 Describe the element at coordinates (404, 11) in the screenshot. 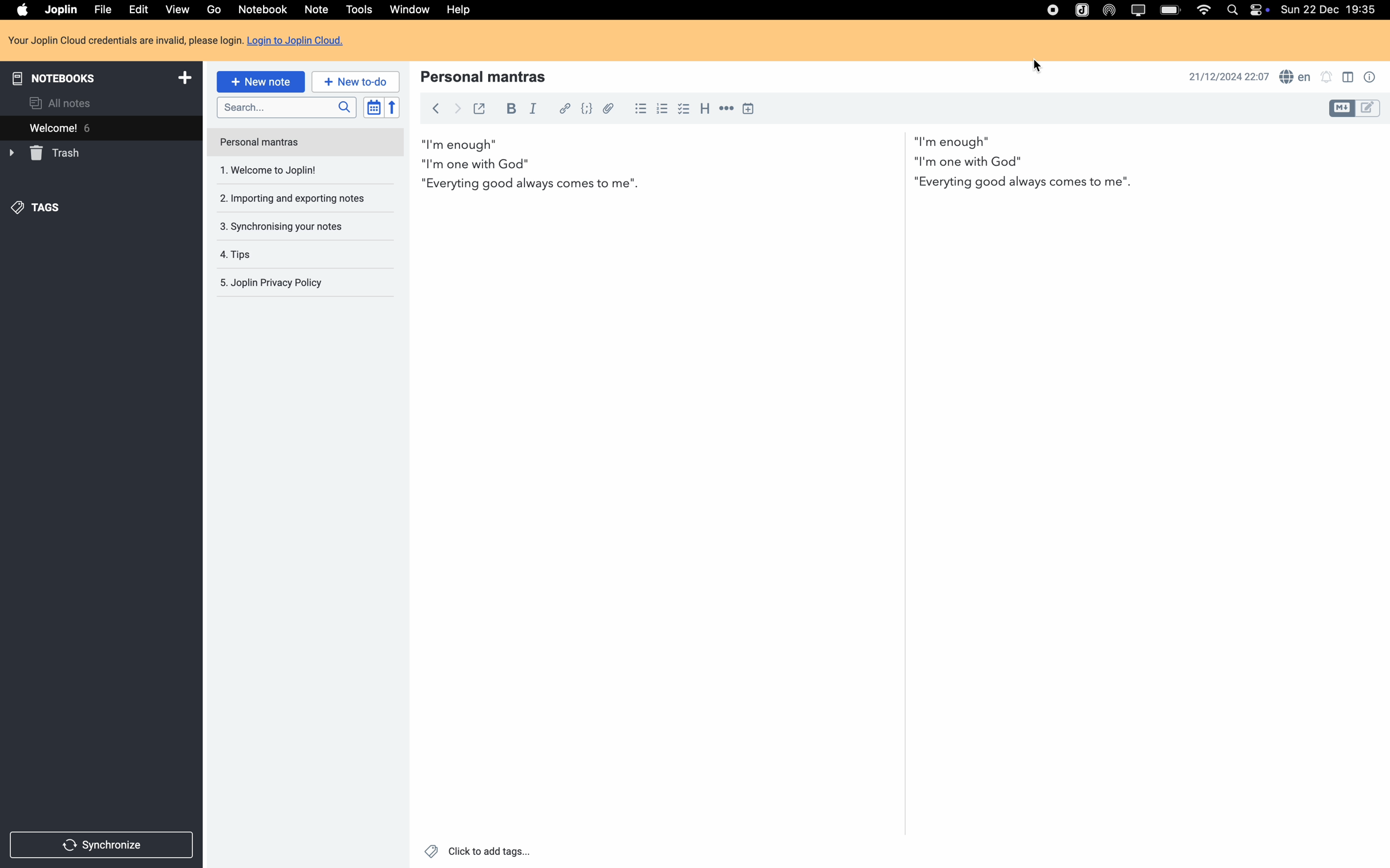

I see `window` at that location.